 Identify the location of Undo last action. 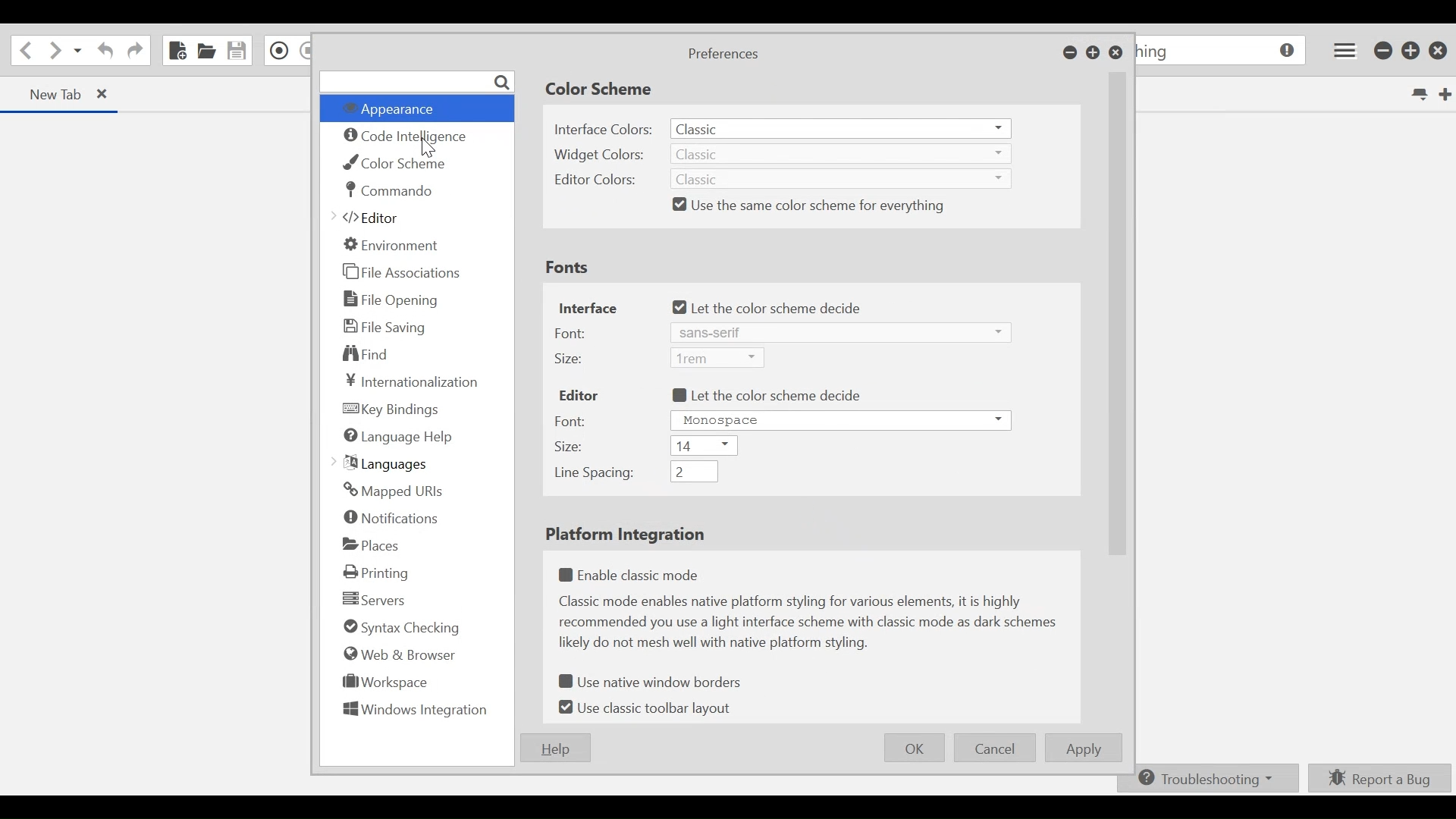
(103, 52).